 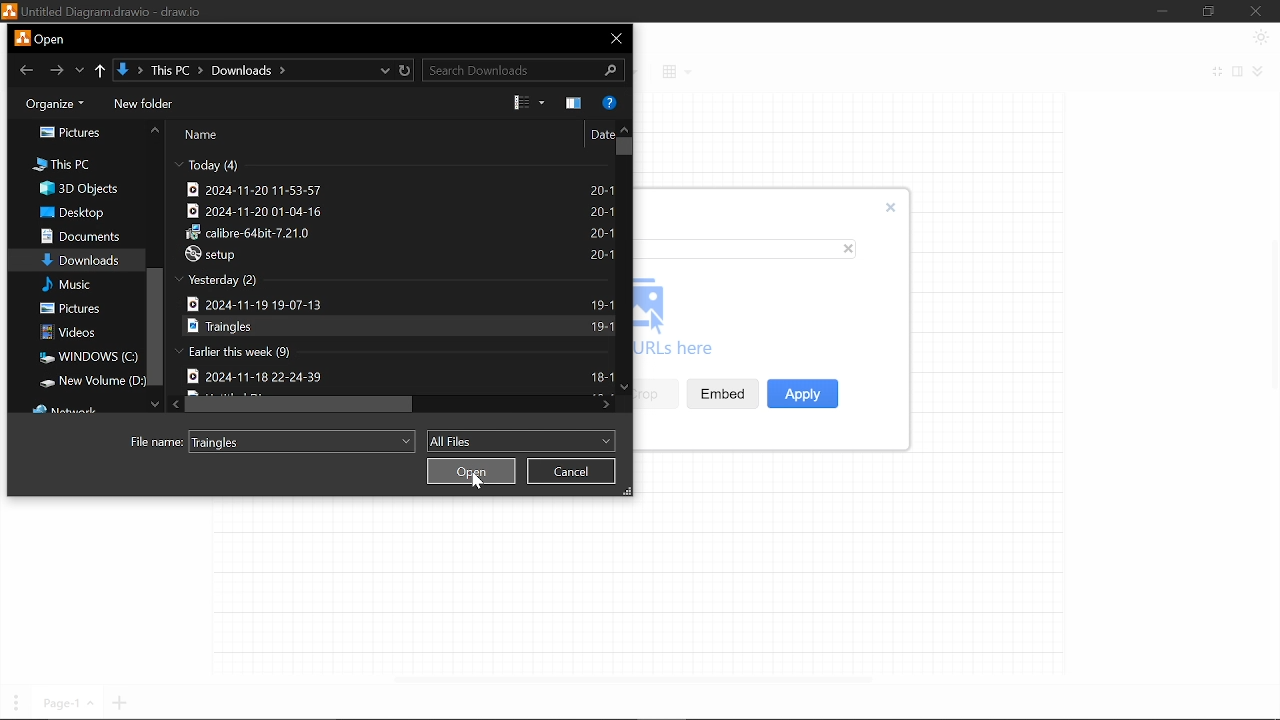 I want to click on Videos, so click(x=58, y=330).